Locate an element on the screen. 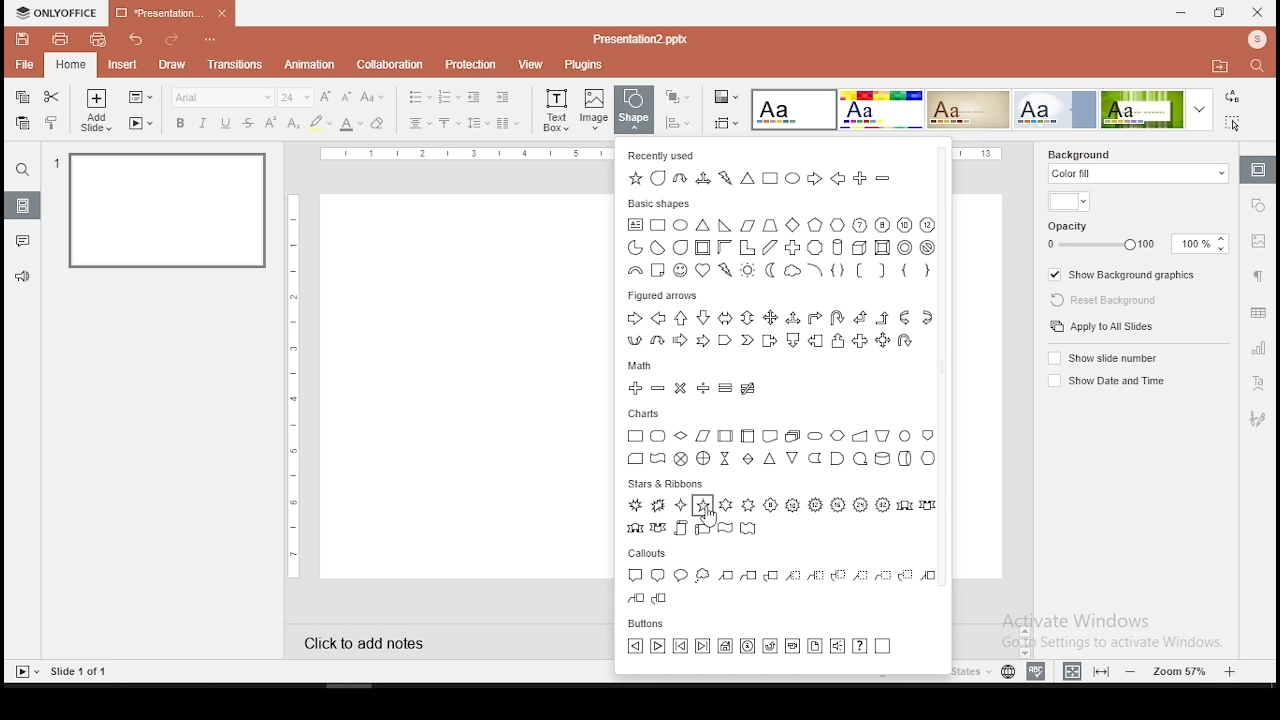 The image size is (1280, 720). recently used is located at coordinates (785, 180).